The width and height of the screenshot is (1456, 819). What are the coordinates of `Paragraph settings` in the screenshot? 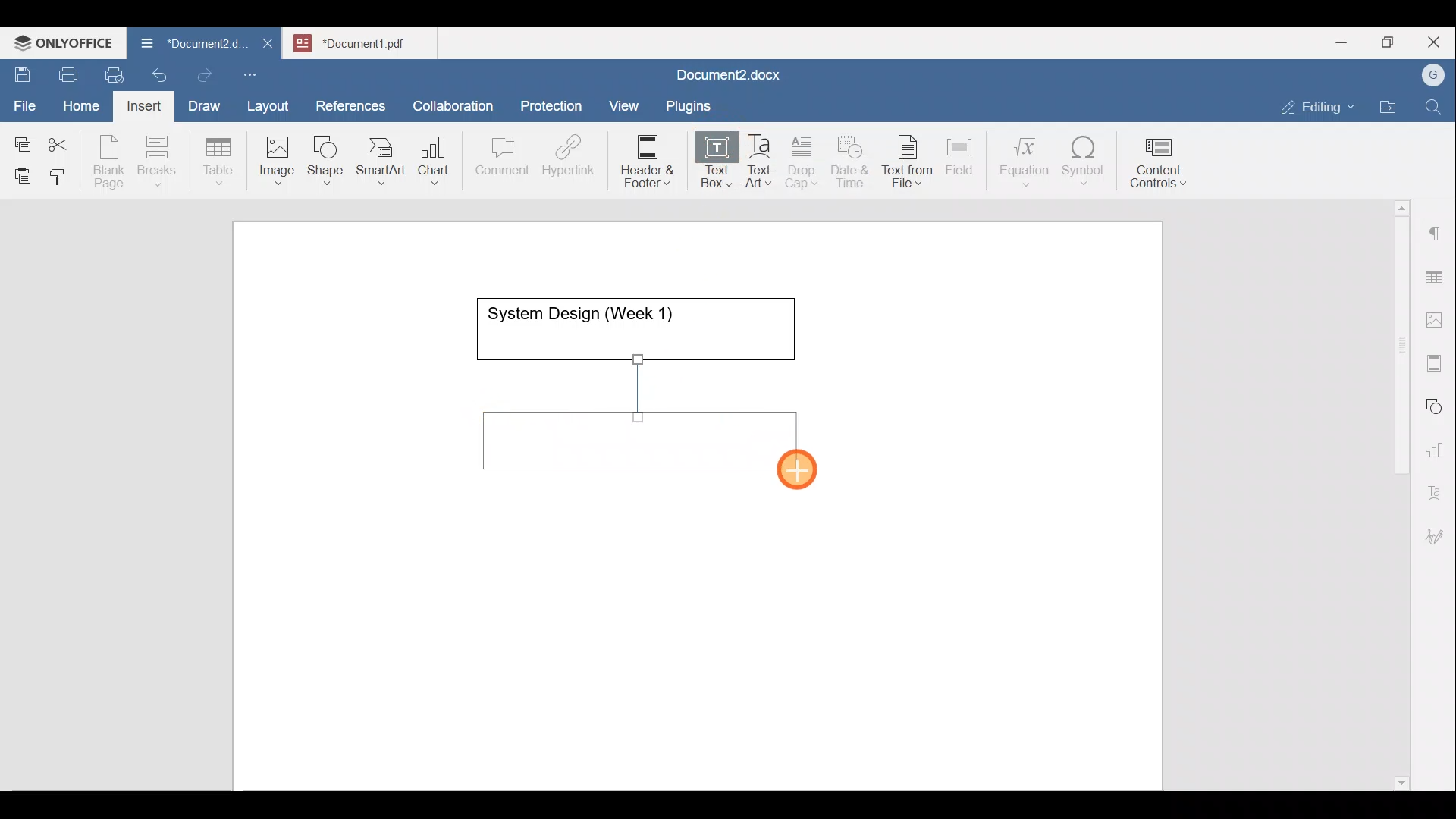 It's located at (1436, 227).